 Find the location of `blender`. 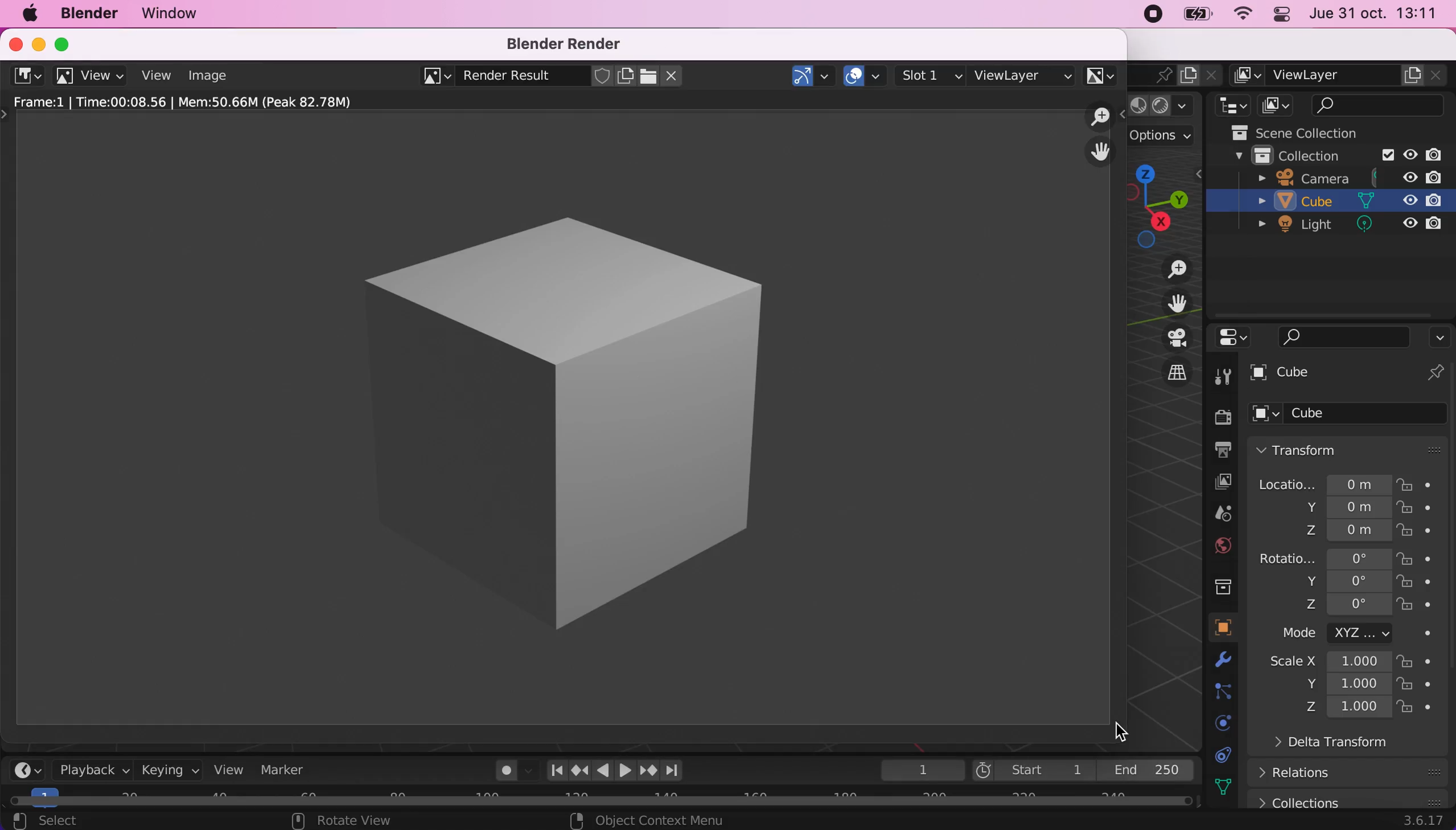

blender is located at coordinates (26, 75).